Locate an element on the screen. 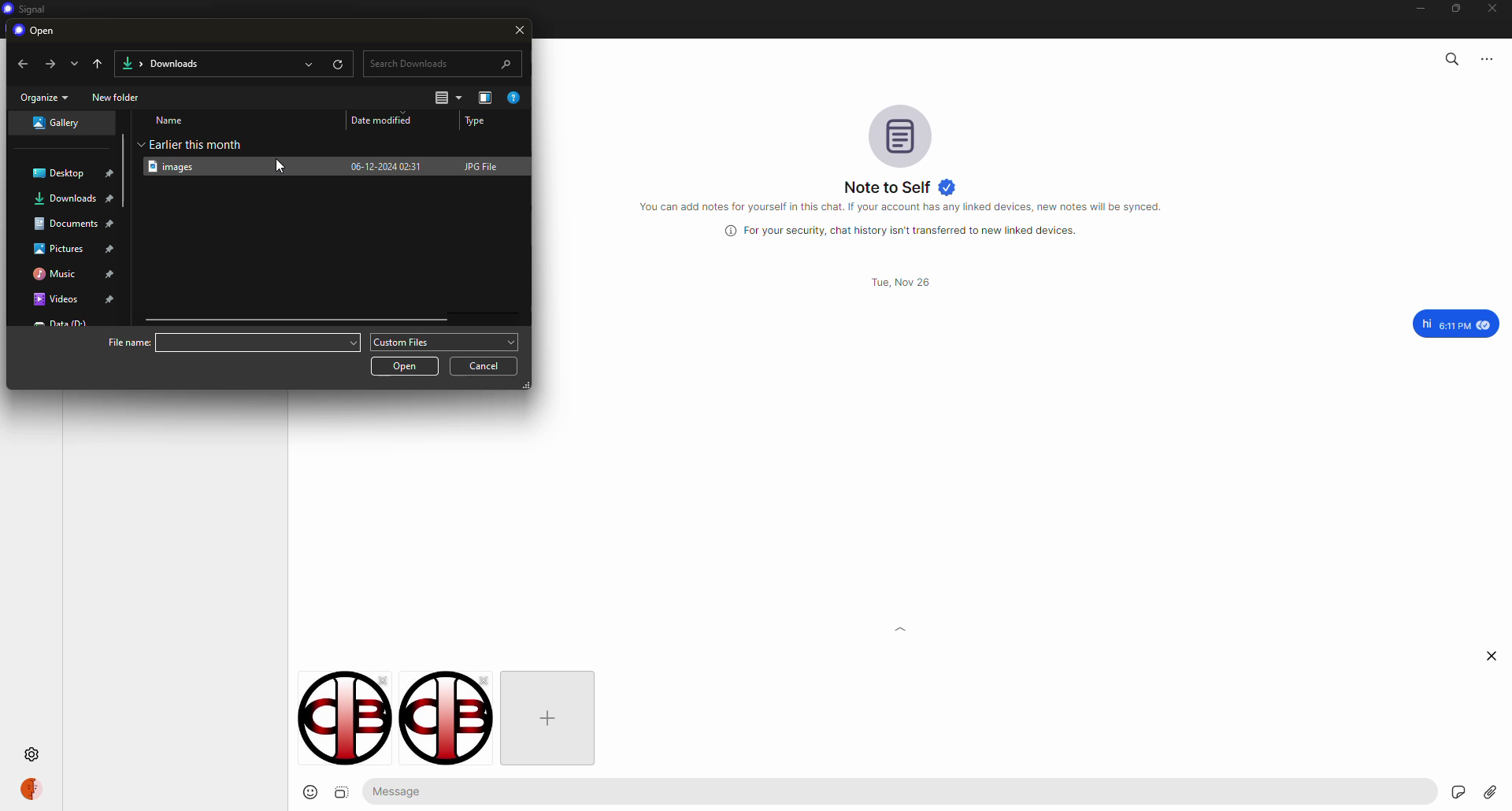 The image size is (1512, 811). date is located at coordinates (386, 165).